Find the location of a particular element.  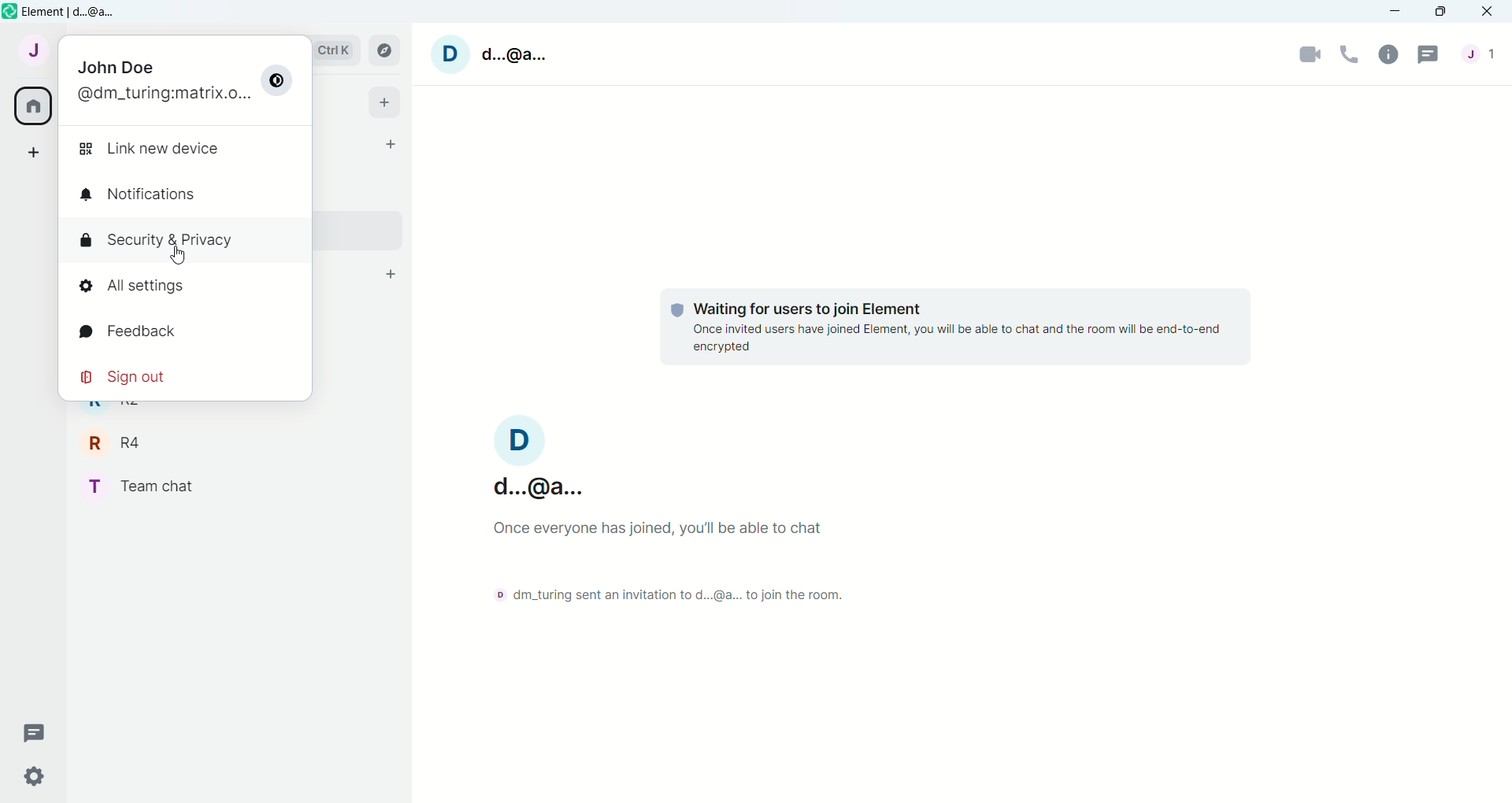

voice call is located at coordinates (1350, 55).